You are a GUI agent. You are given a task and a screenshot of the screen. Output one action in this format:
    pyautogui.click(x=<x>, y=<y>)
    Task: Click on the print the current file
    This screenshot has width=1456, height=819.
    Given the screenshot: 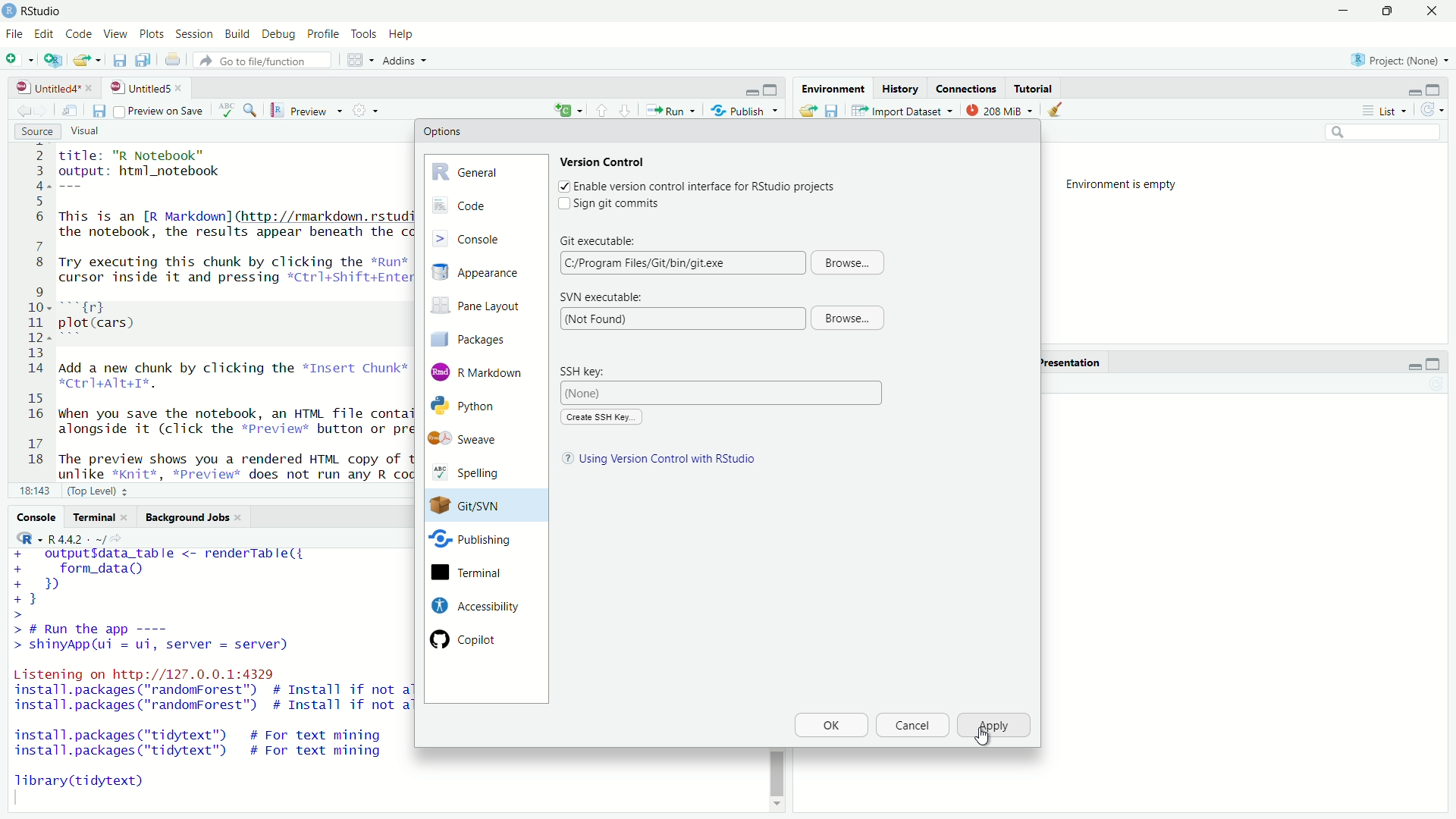 What is the action you would take?
    pyautogui.click(x=172, y=60)
    